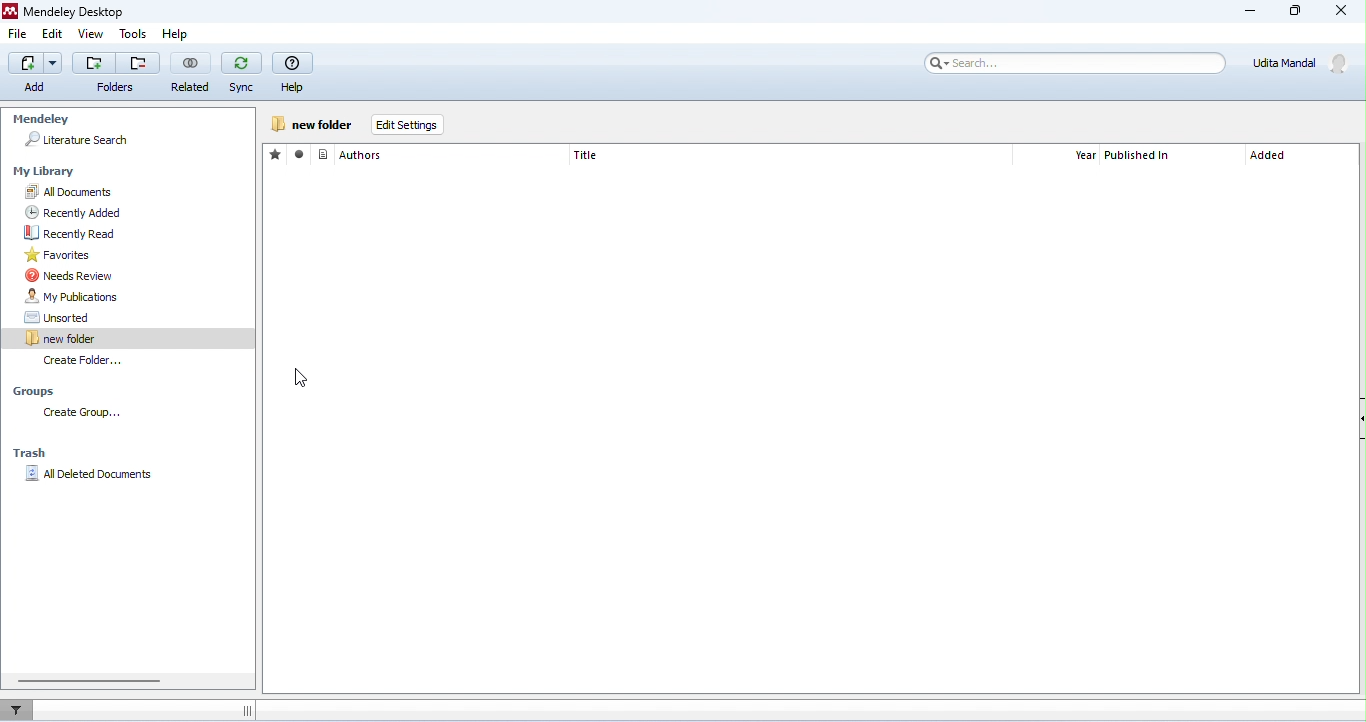 The width and height of the screenshot is (1366, 722). Describe the element at coordinates (1269, 157) in the screenshot. I see `added` at that location.